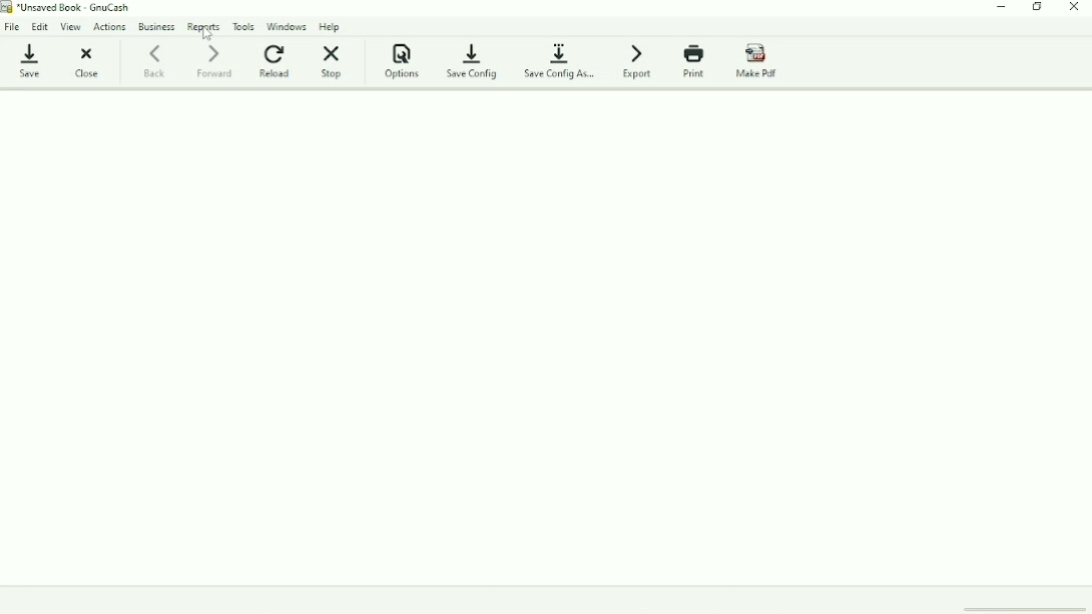  What do you see at coordinates (72, 27) in the screenshot?
I see `View` at bounding box center [72, 27].